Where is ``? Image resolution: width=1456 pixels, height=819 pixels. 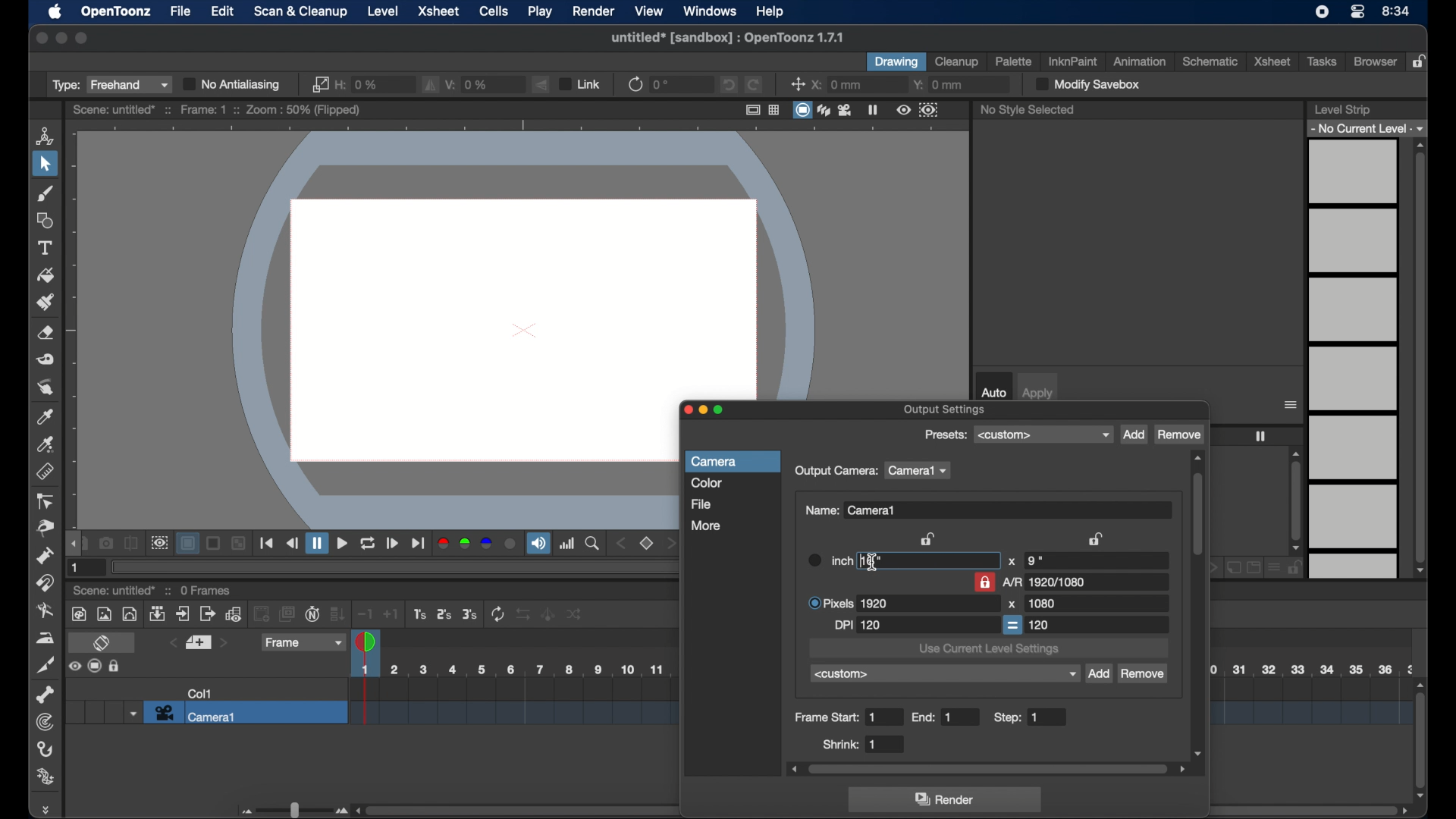  is located at coordinates (344, 545).